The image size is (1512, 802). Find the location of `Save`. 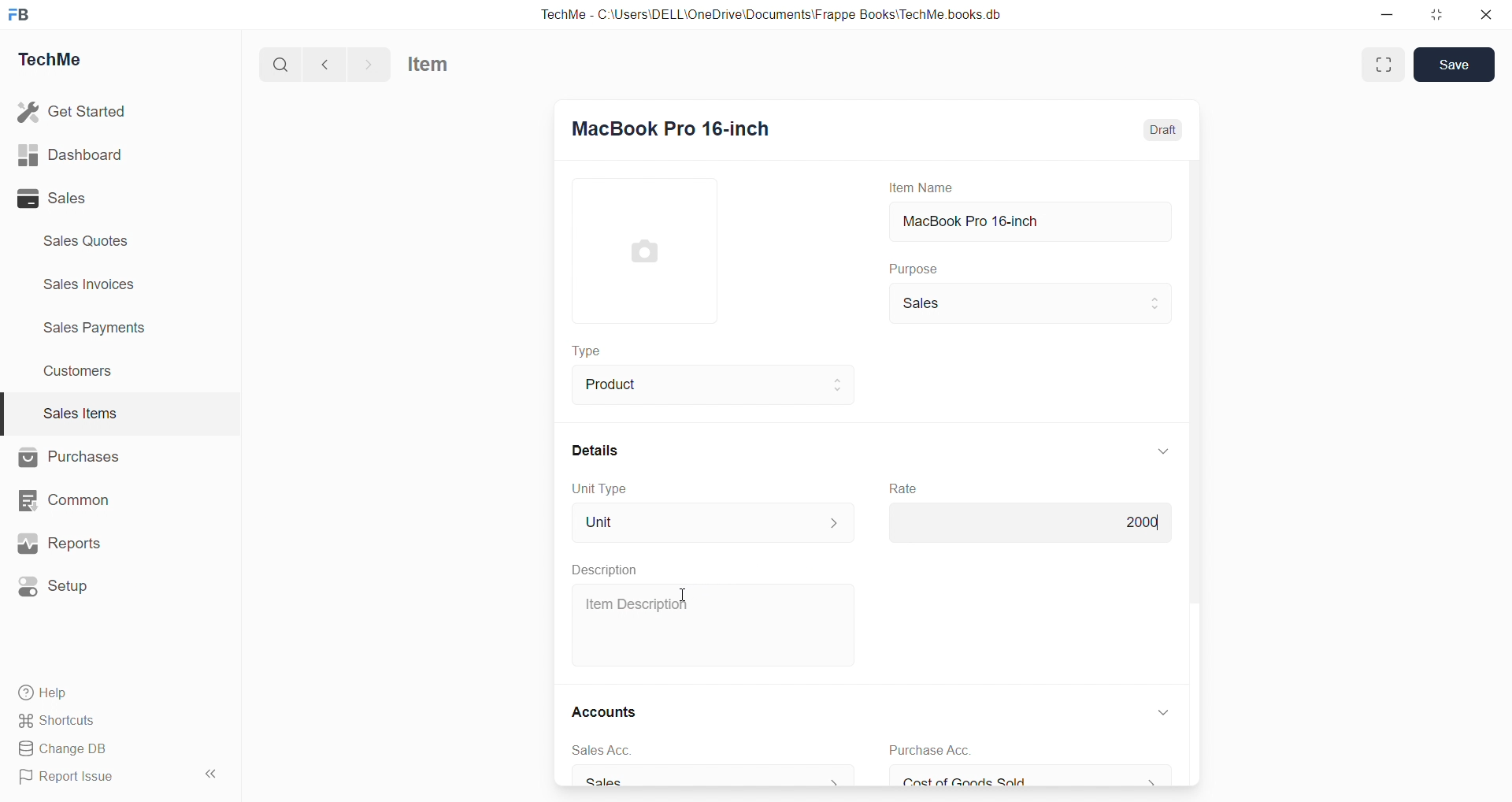

Save is located at coordinates (1458, 65).